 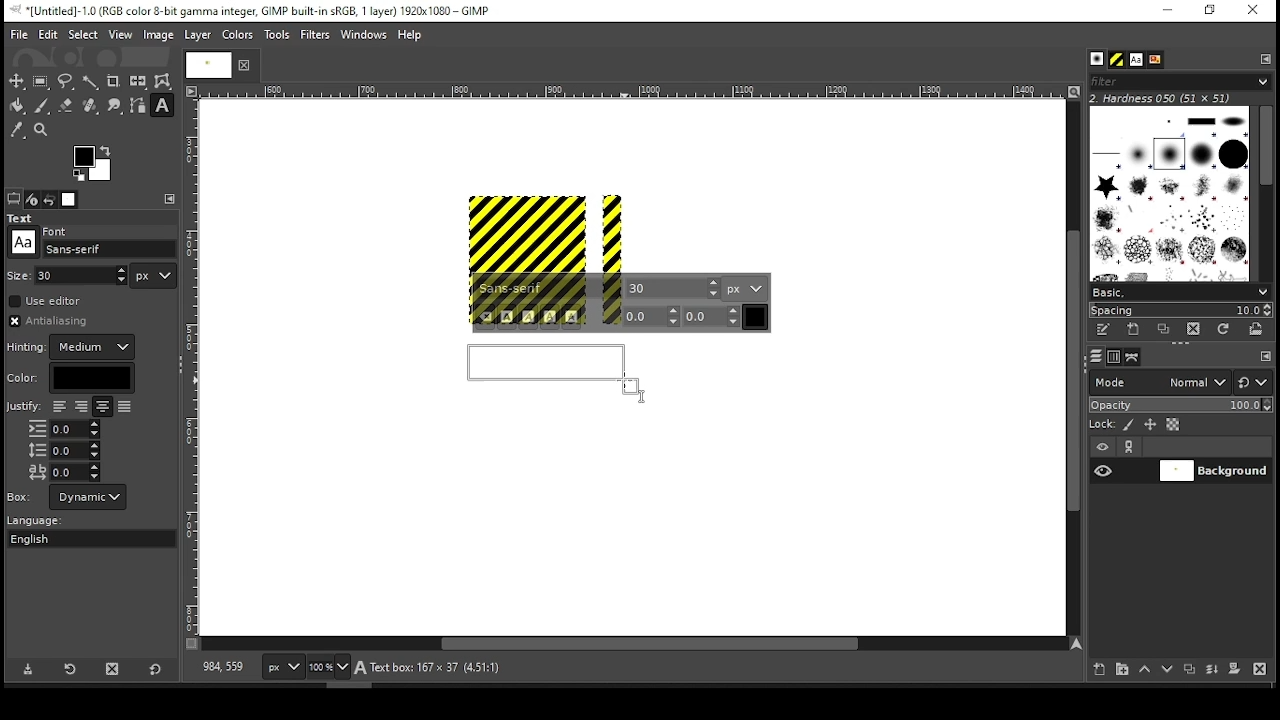 What do you see at coordinates (70, 378) in the screenshot?
I see `color` at bounding box center [70, 378].